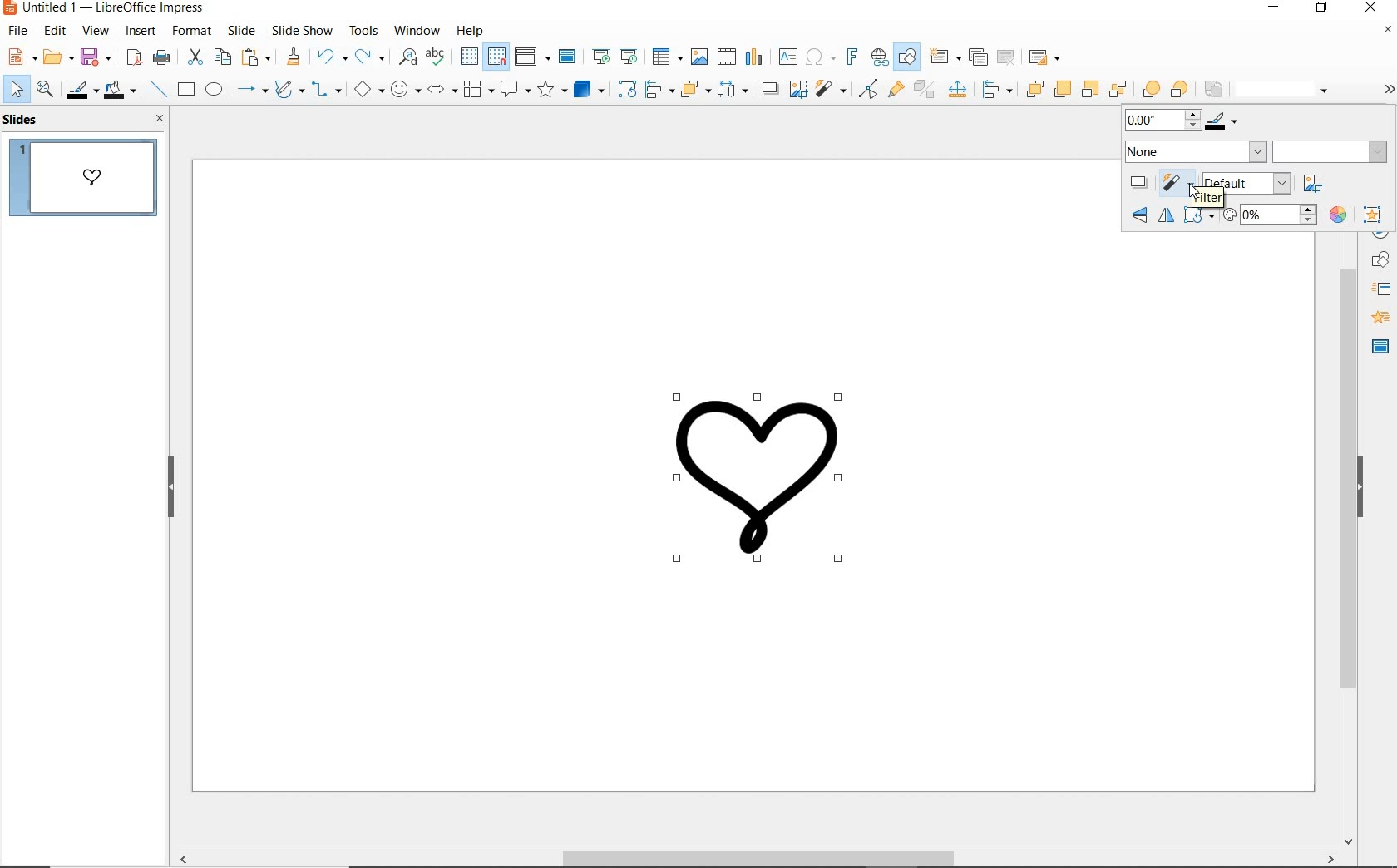  What do you see at coordinates (437, 57) in the screenshot?
I see `spelling` at bounding box center [437, 57].